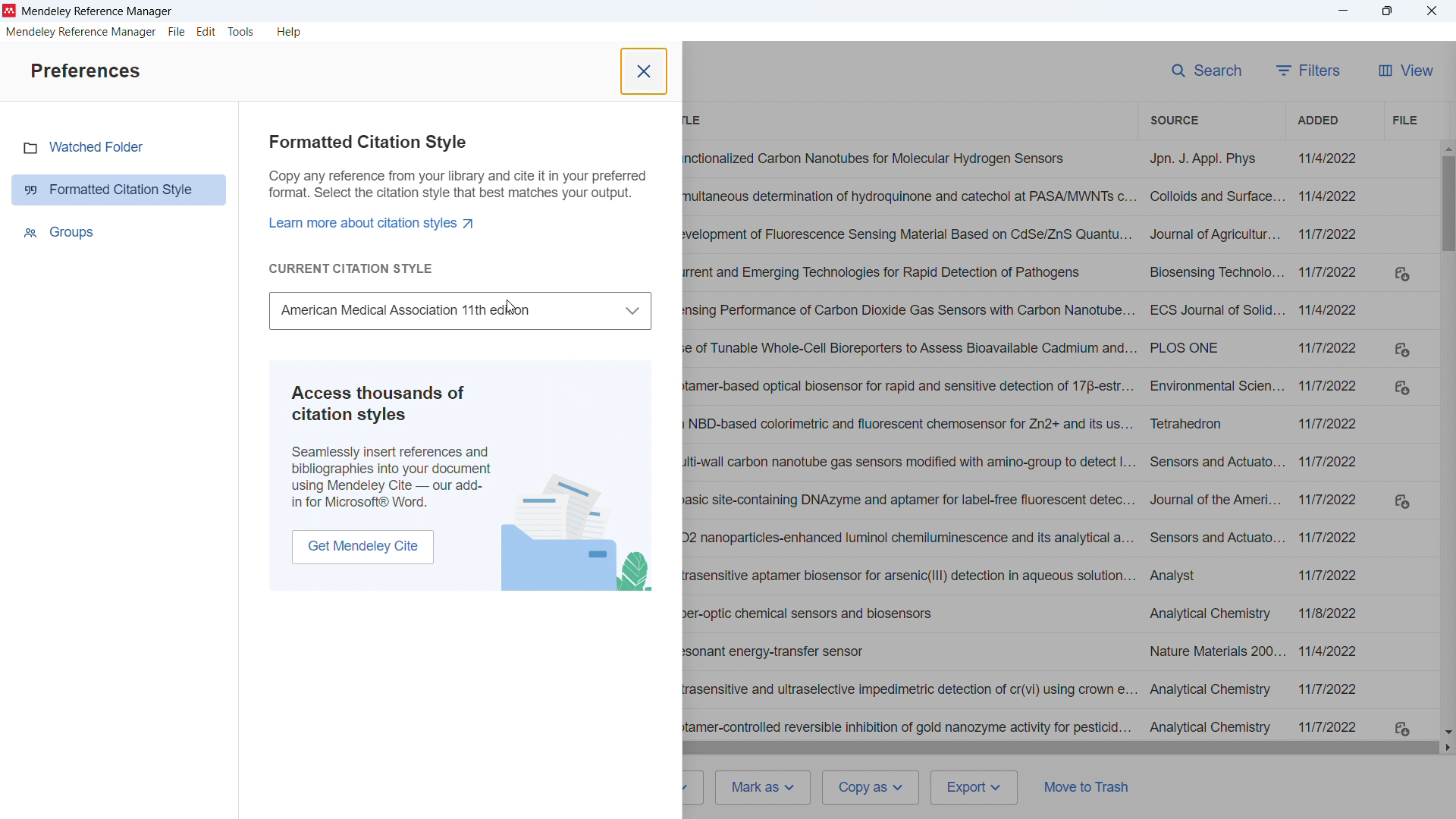 The image size is (1456, 819). What do you see at coordinates (1447, 748) in the screenshot?
I see `Scroll right` at bounding box center [1447, 748].